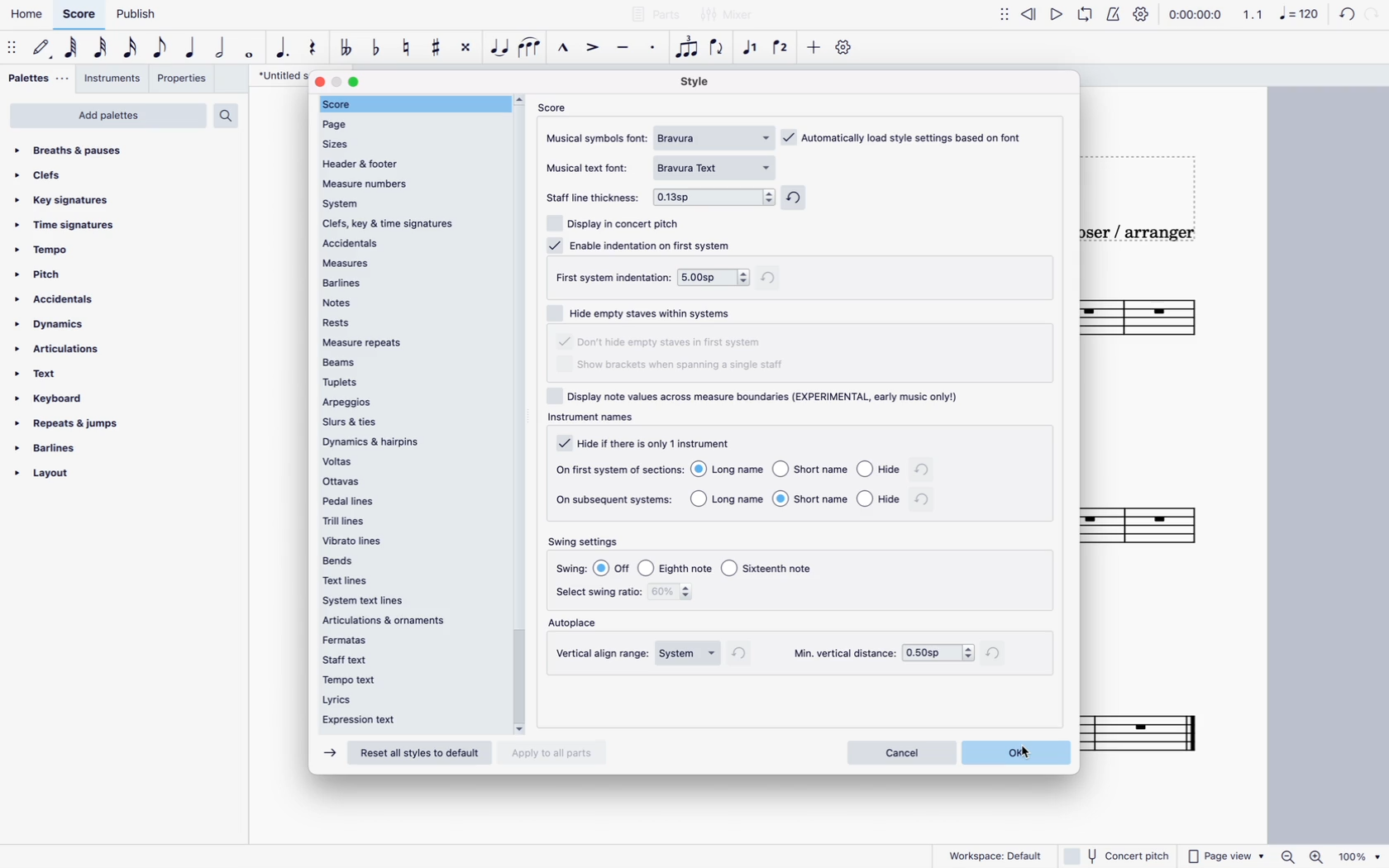 The image size is (1389, 868). I want to click on half note, so click(223, 53).